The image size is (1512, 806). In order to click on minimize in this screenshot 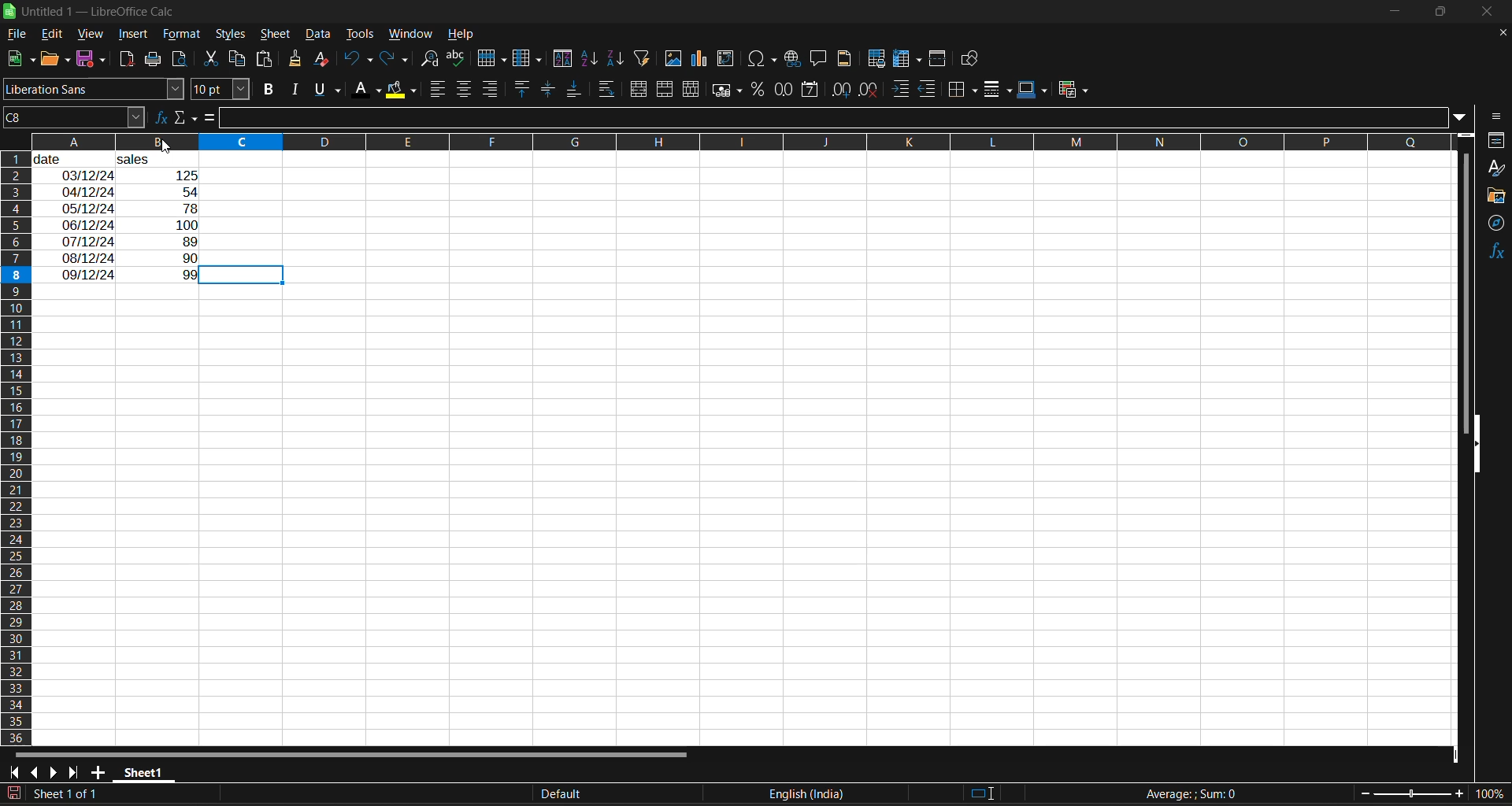, I will do `click(1396, 9)`.